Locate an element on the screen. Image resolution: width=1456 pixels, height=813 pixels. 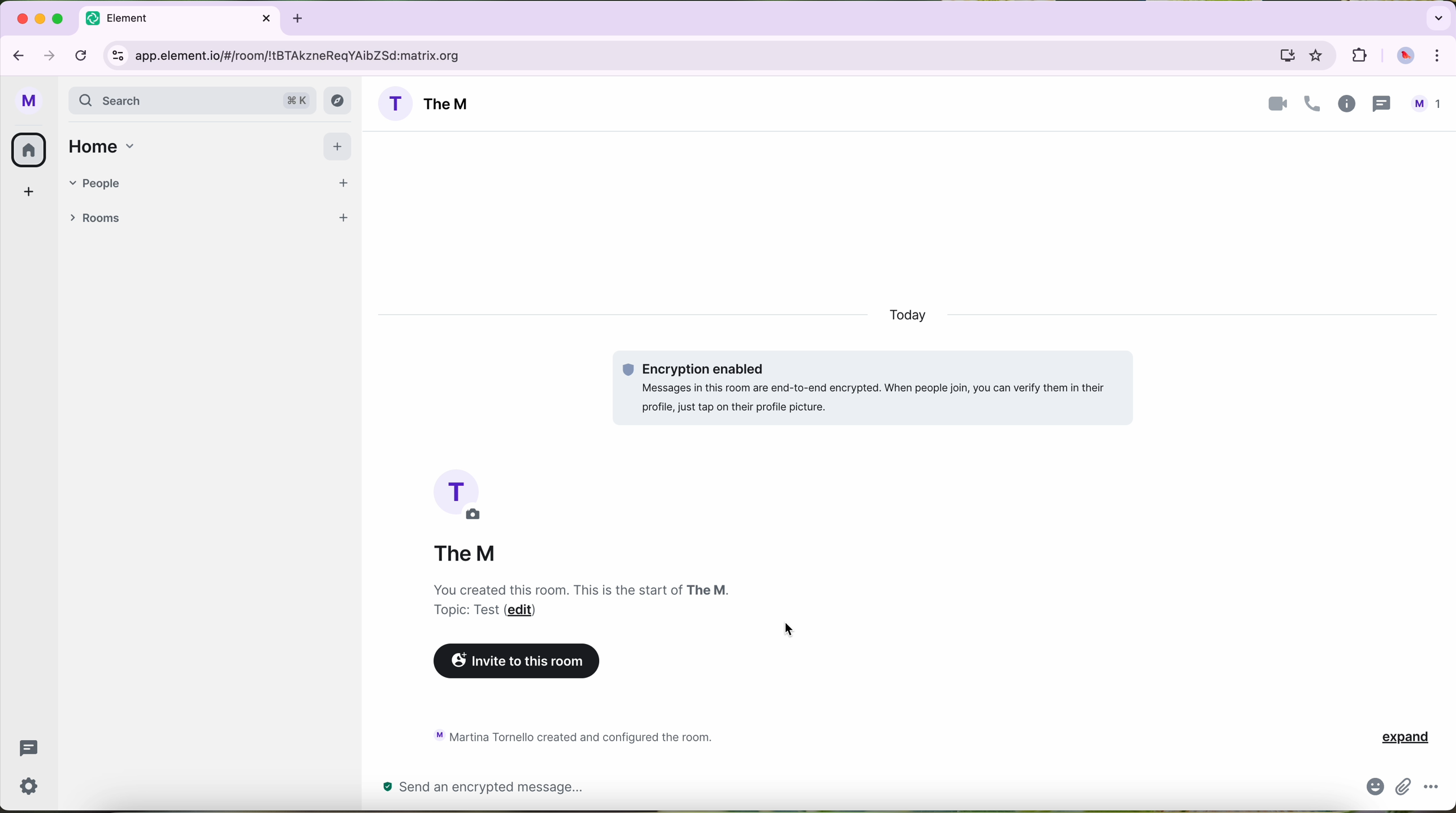
extensions is located at coordinates (1358, 54).